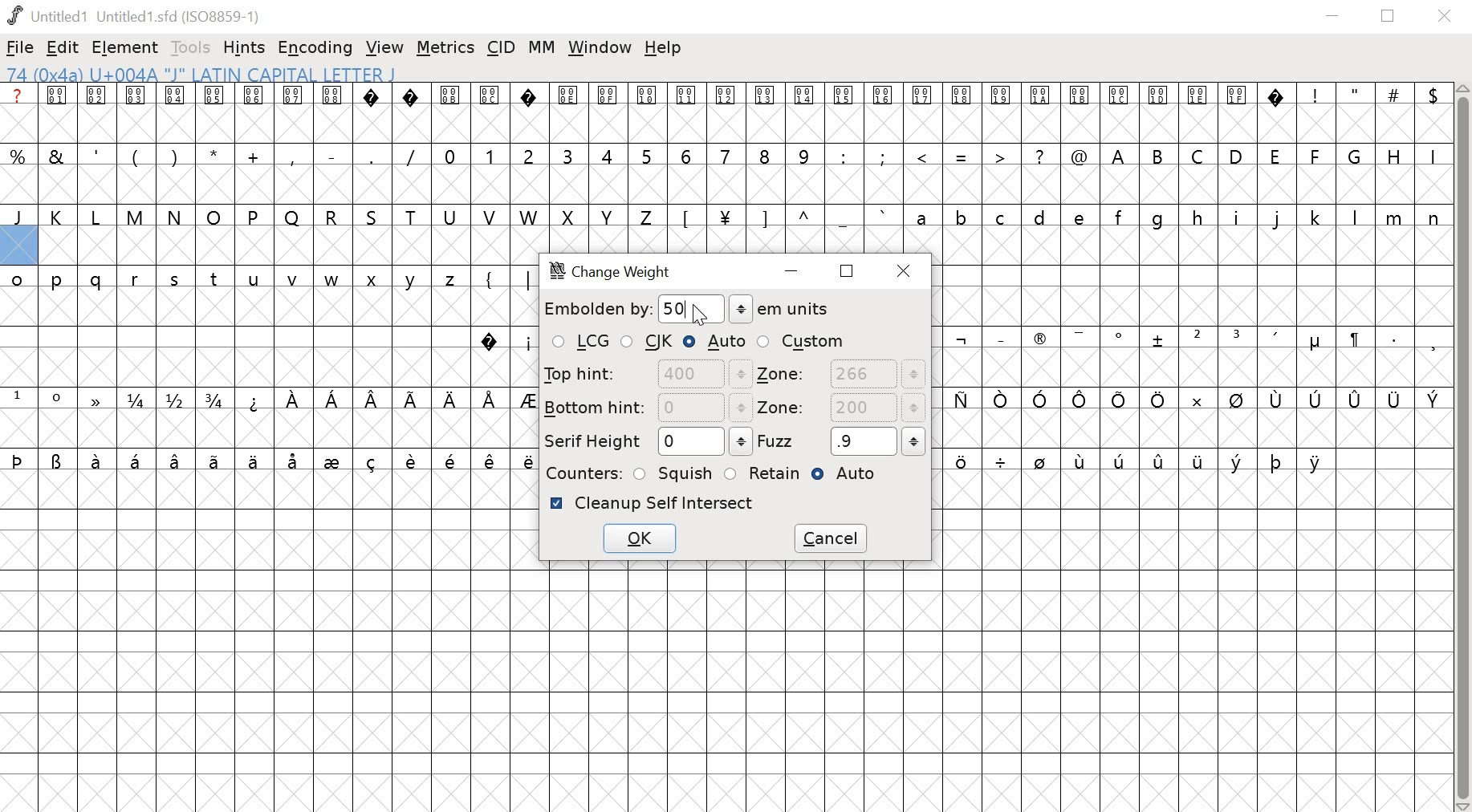 This screenshot has width=1472, height=812. Describe the element at coordinates (1275, 155) in the screenshot. I see `uppercase letters` at that location.